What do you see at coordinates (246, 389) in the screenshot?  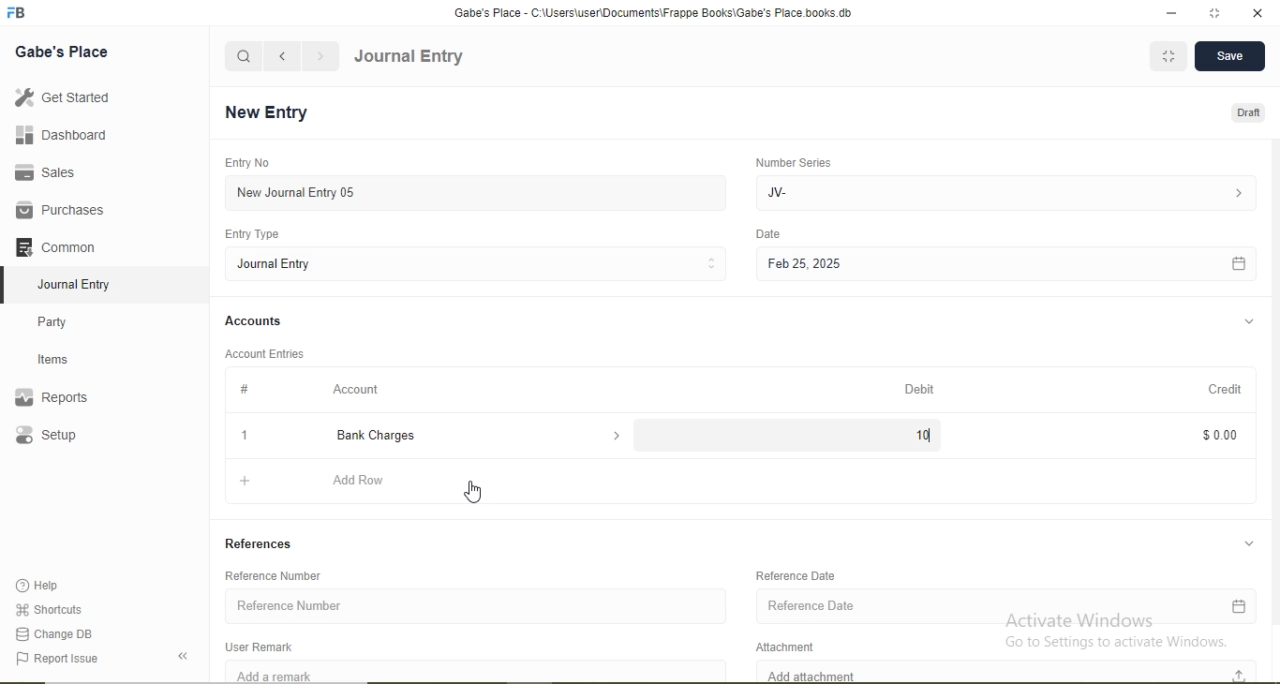 I see `#` at bounding box center [246, 389].